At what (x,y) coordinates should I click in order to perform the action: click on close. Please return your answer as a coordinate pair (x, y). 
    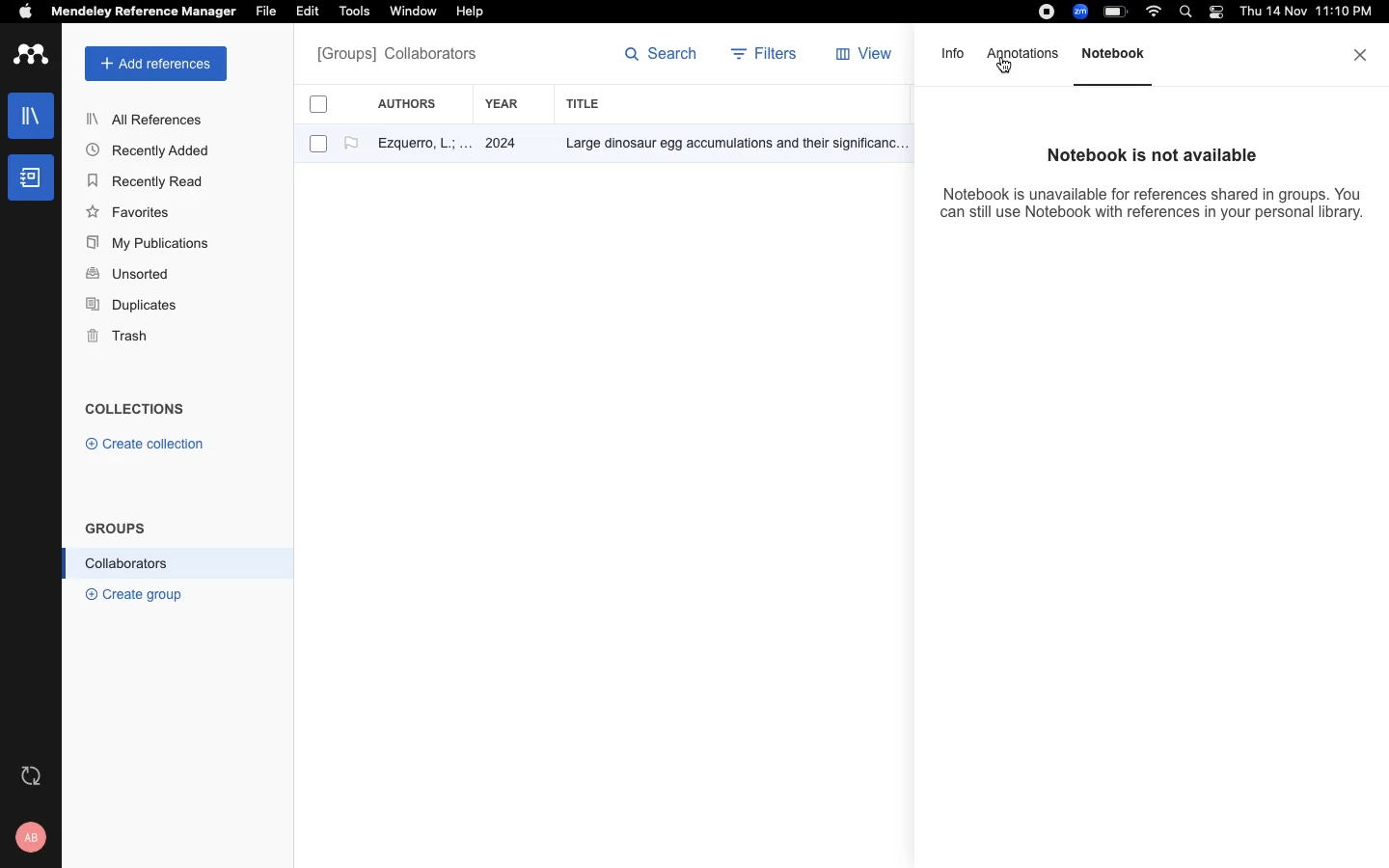
    Looking at the image, I should click on (1362, 55).